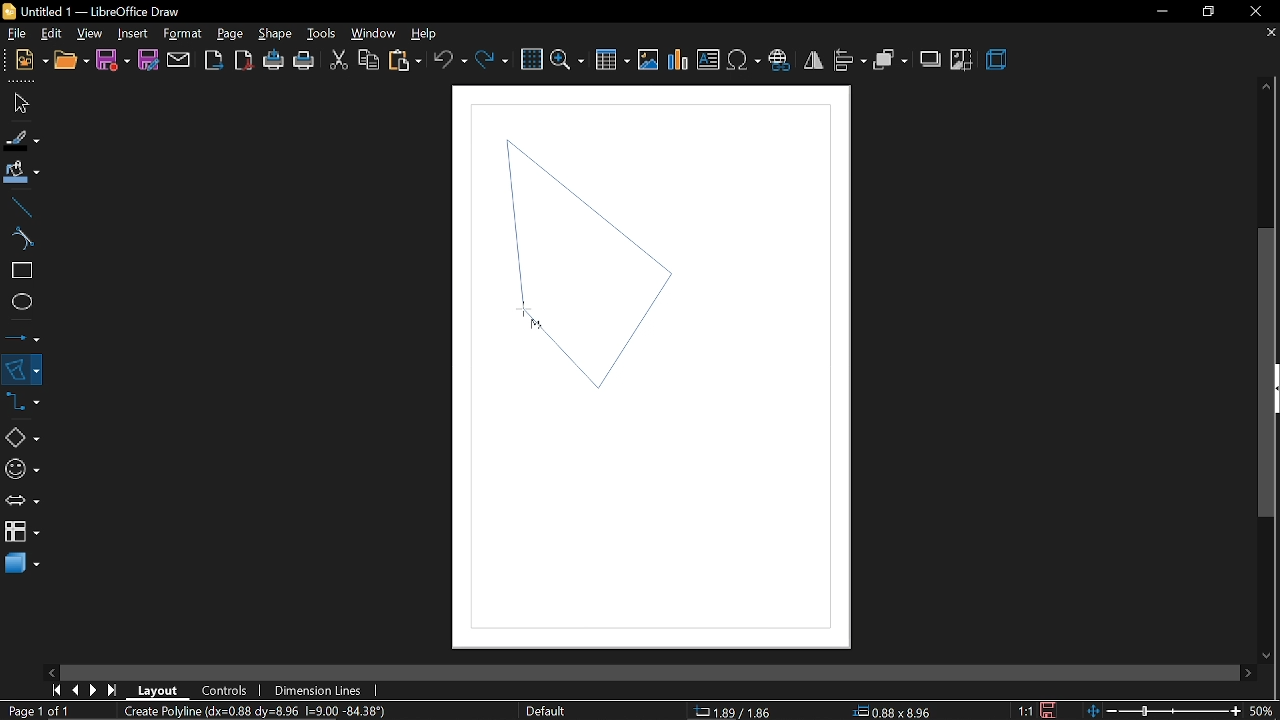 The width and height of the screenshot is (1280, 720). What do you see at coordinates (23, 407) in the screenshot?
I see `connectors` at bounding box center [23, 407].